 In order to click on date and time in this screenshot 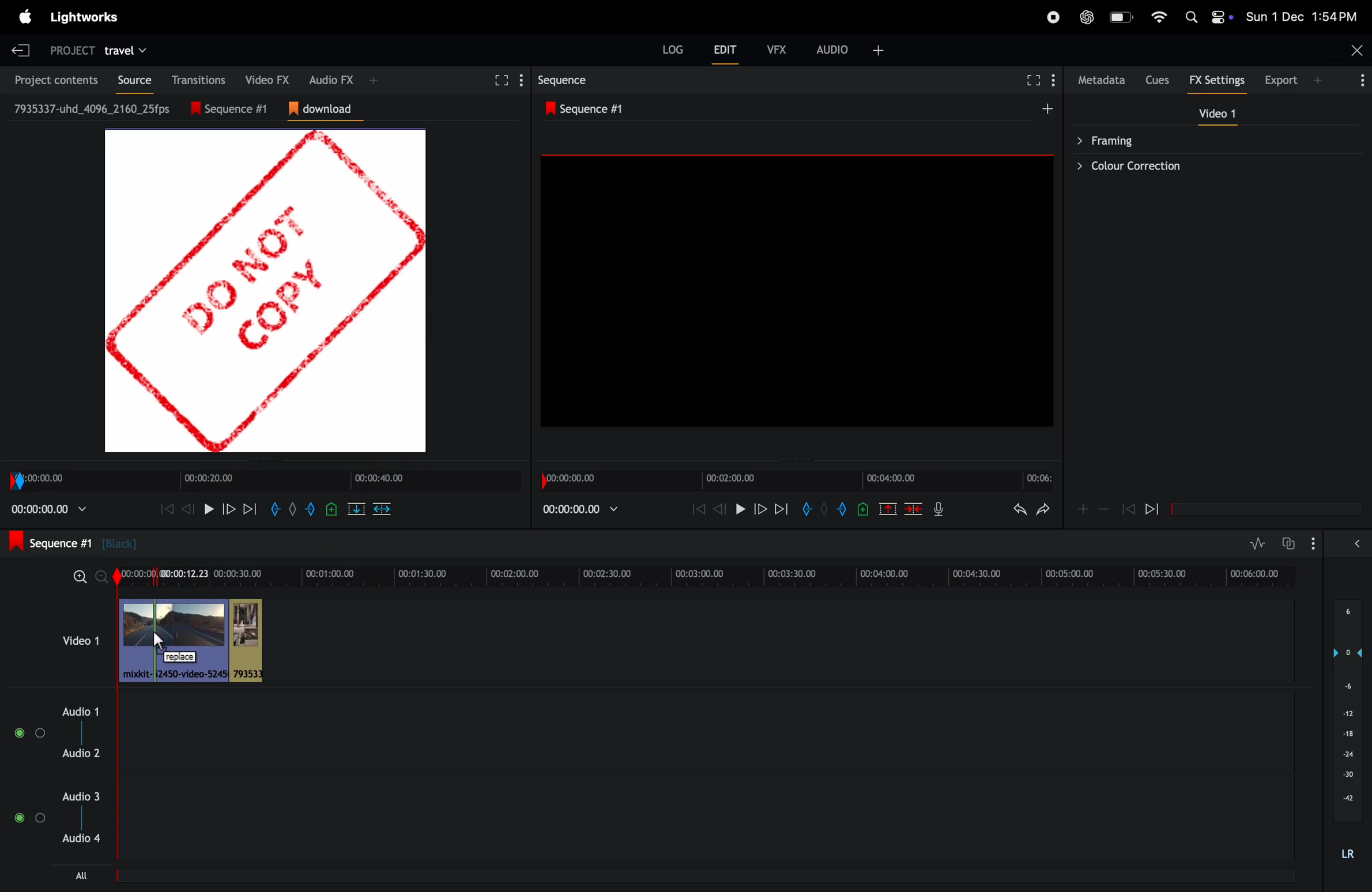, I will do `click(1301, 16)`.